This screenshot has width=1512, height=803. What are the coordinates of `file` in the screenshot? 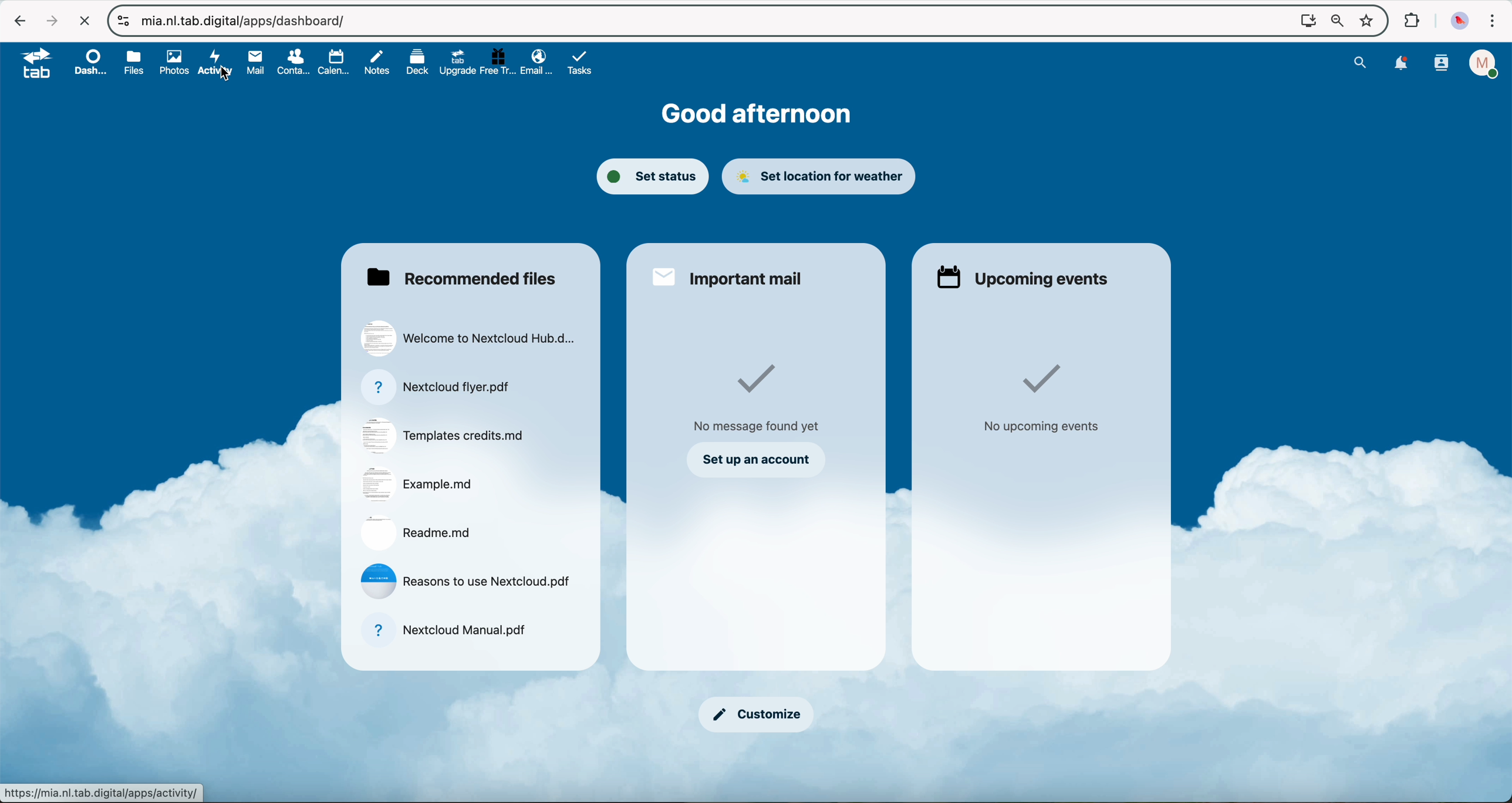 It's located at (447, 632).